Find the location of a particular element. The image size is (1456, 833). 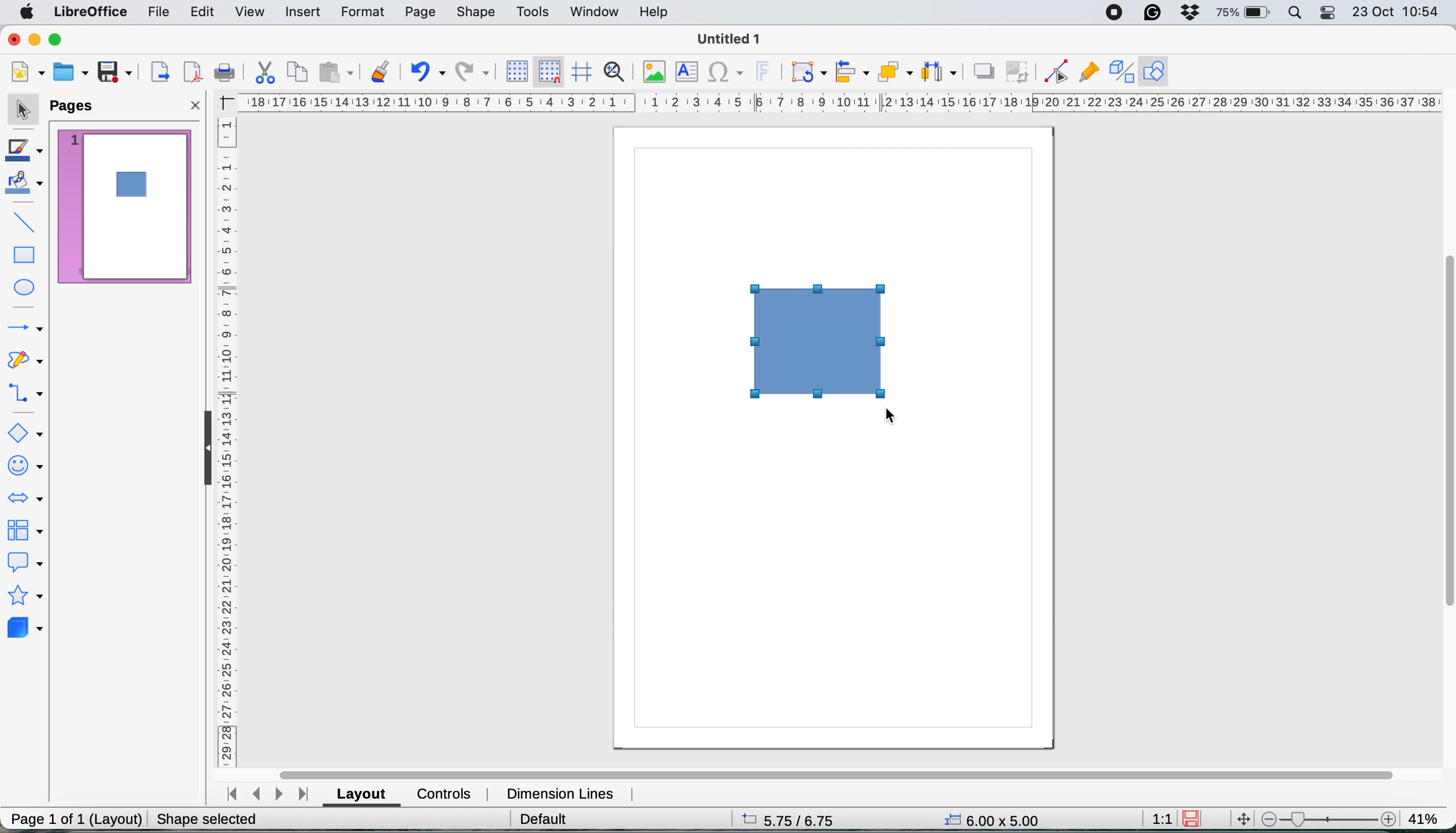

symbol shapes is located at coordinates (24, 463).